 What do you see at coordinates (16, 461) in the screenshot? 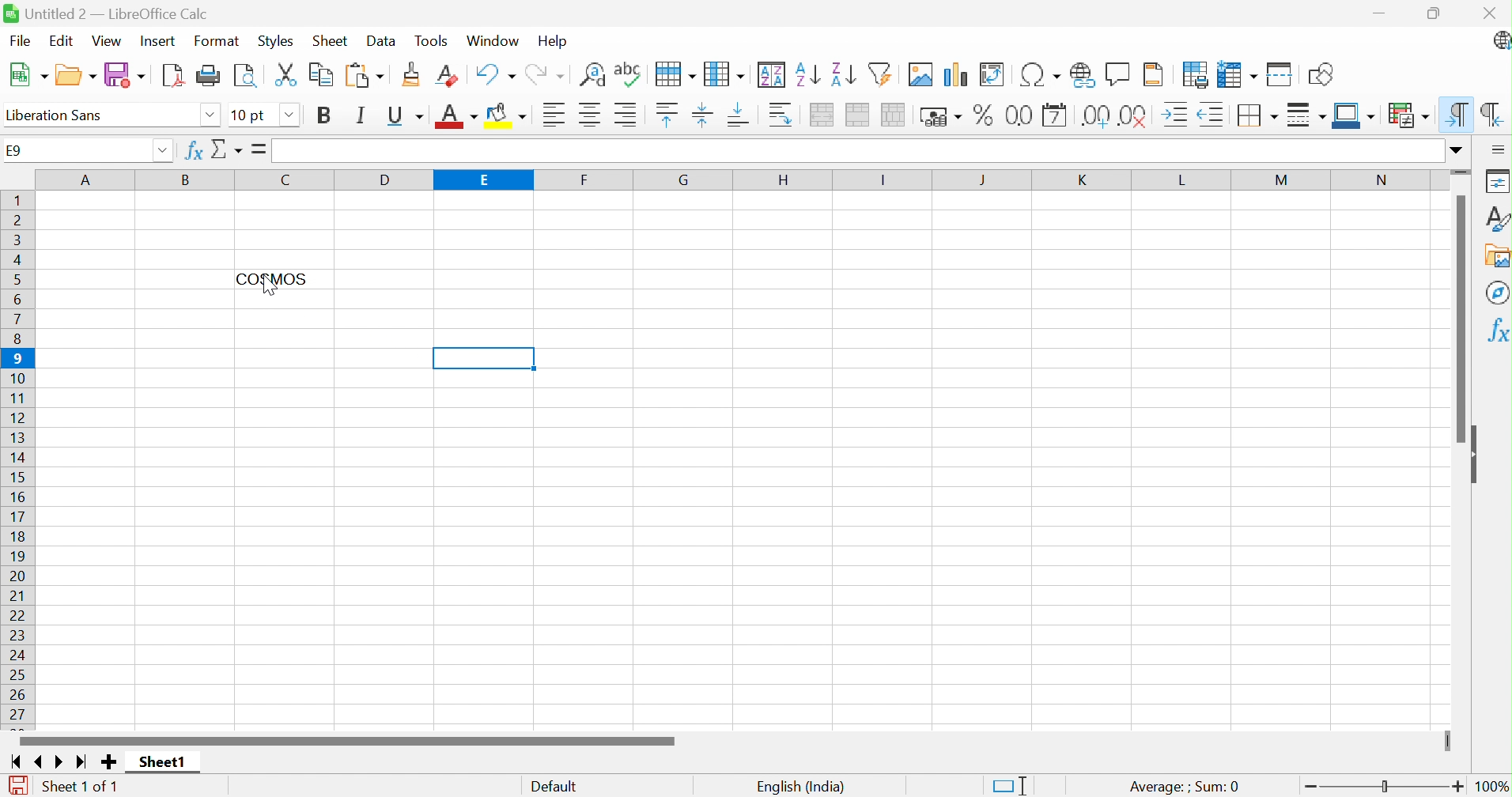
I see `Row numbers` at bounding box center [16, 461].